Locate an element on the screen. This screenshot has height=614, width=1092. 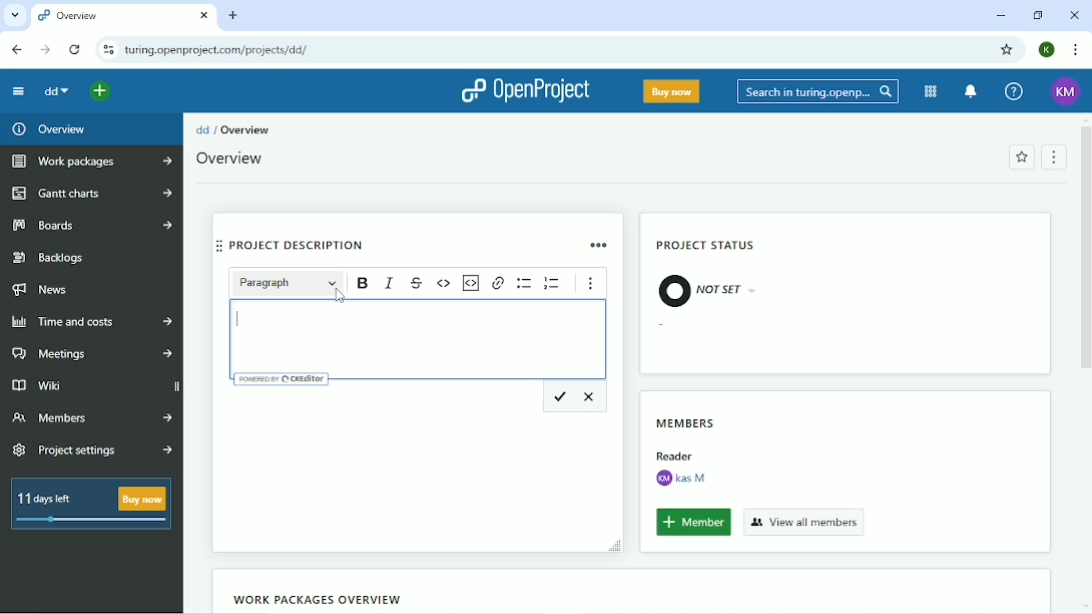
Numbered list is located at coordinates (554, 283).